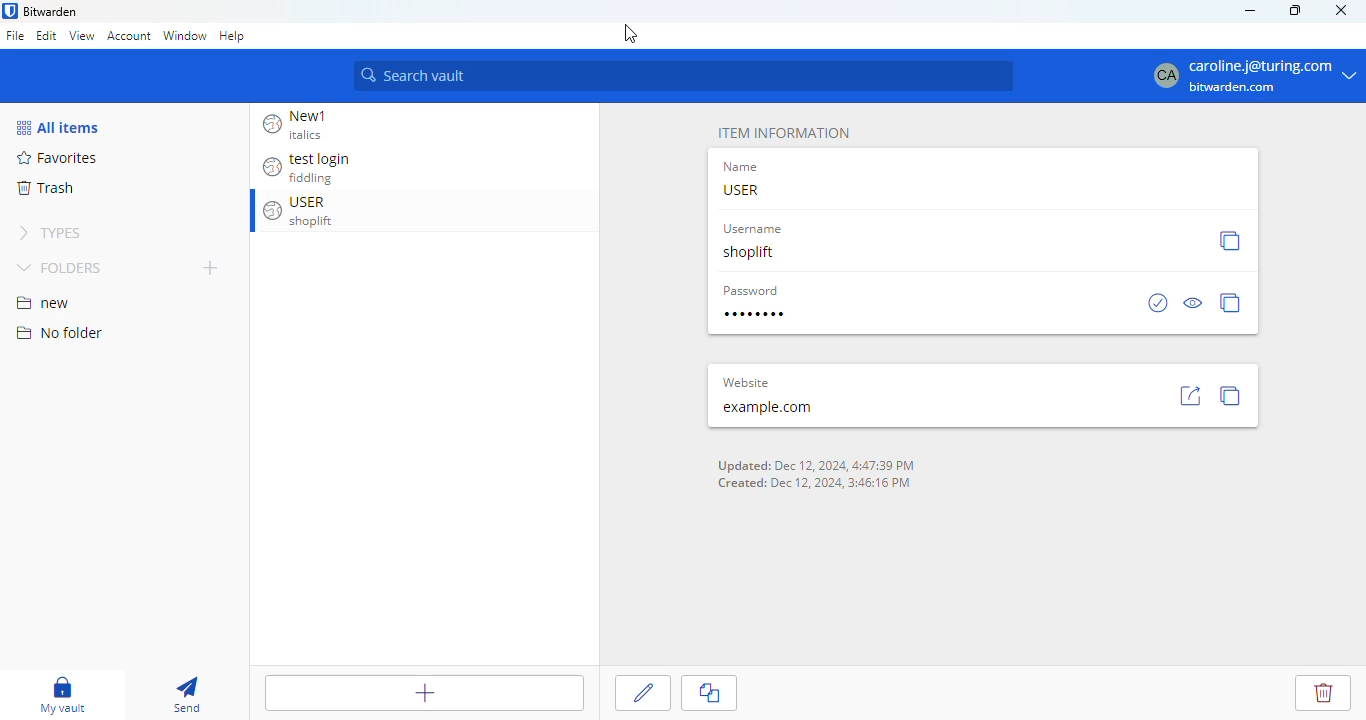 This screenshot has width=1366, height=720. Describe the element at coordinates (753, 227) in the screenshot. I see `Username` at that location.